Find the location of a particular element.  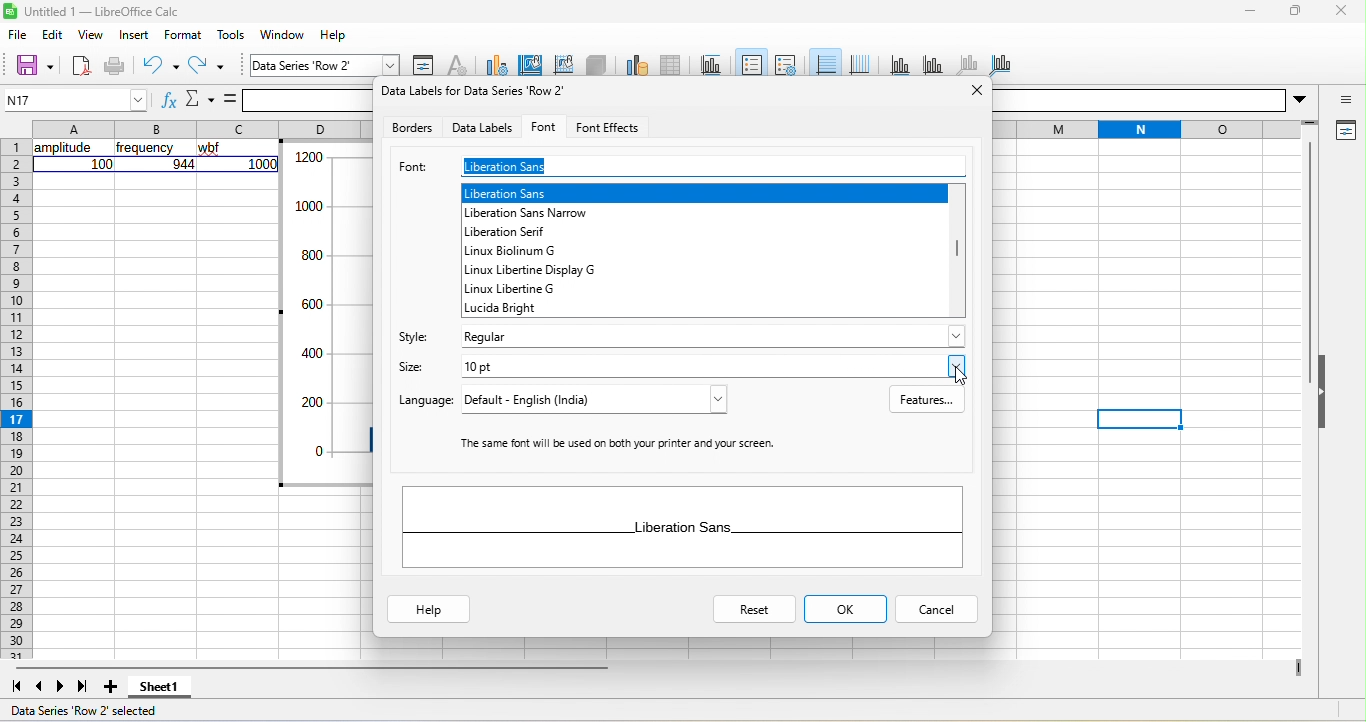

default - English (India) is located at coordinates (601, 400).